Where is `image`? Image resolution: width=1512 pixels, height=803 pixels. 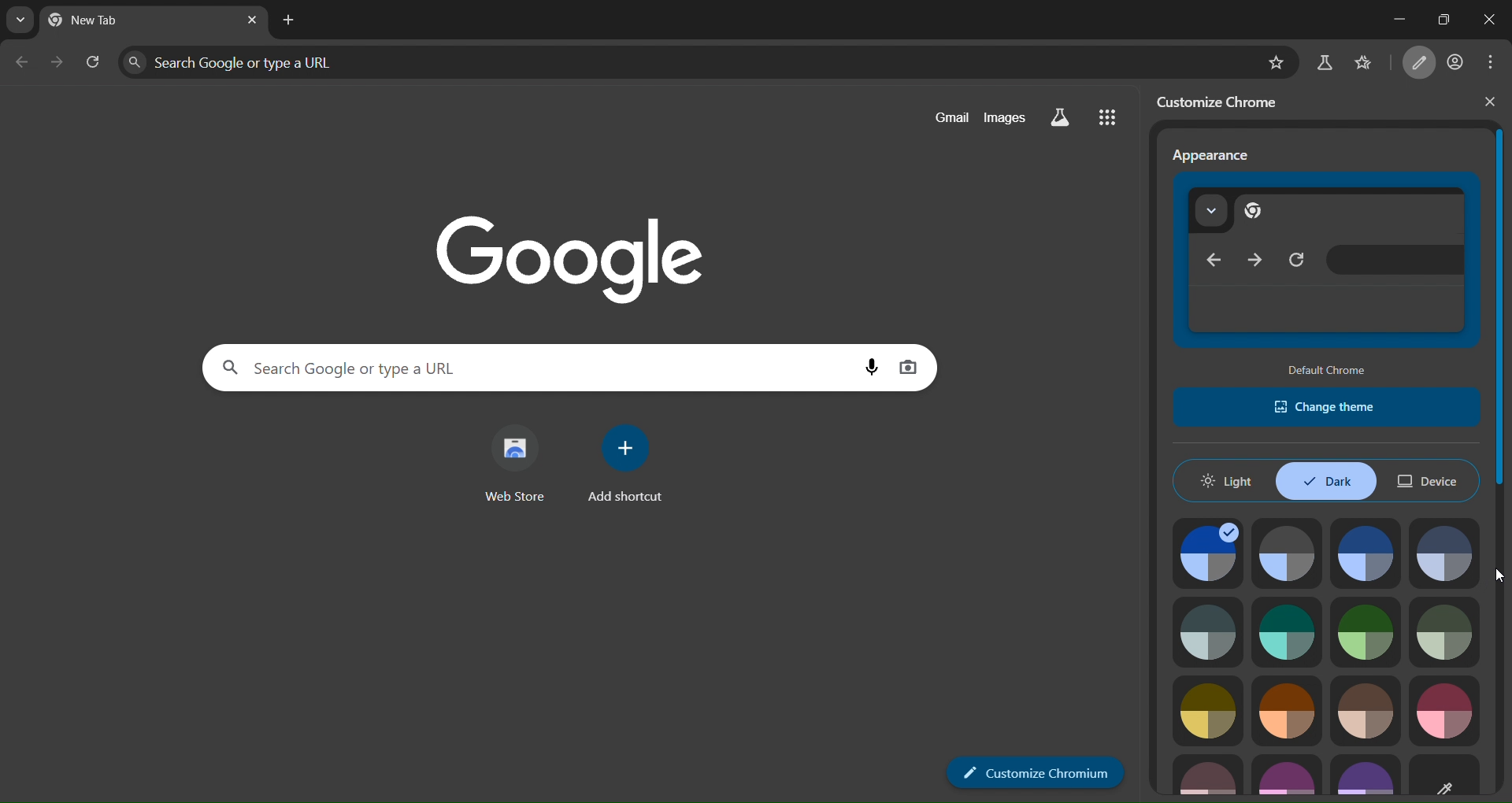
image is located at coordinates (1367, 712).